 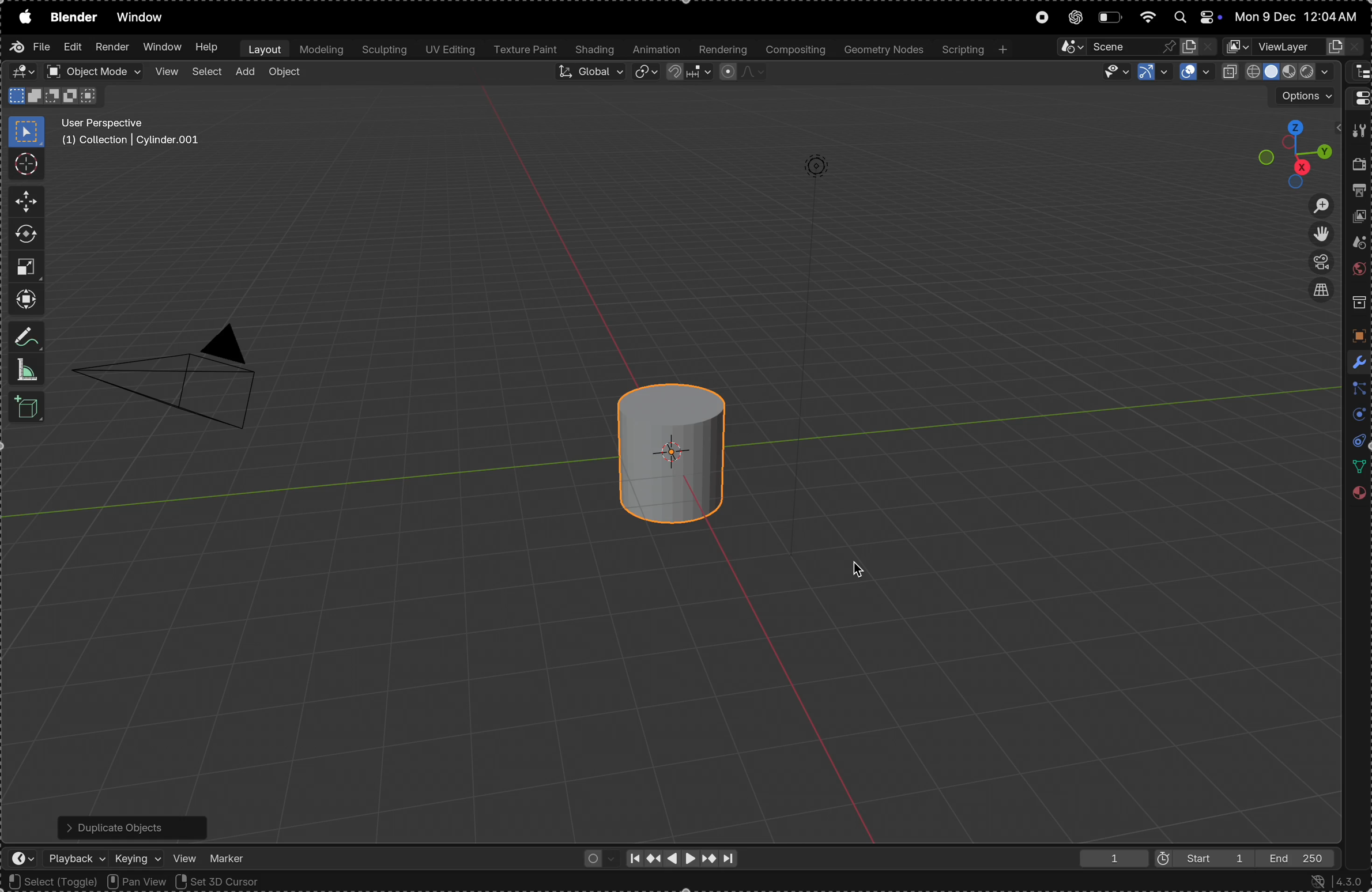 I want to click on select, so click(x=206, y=74).